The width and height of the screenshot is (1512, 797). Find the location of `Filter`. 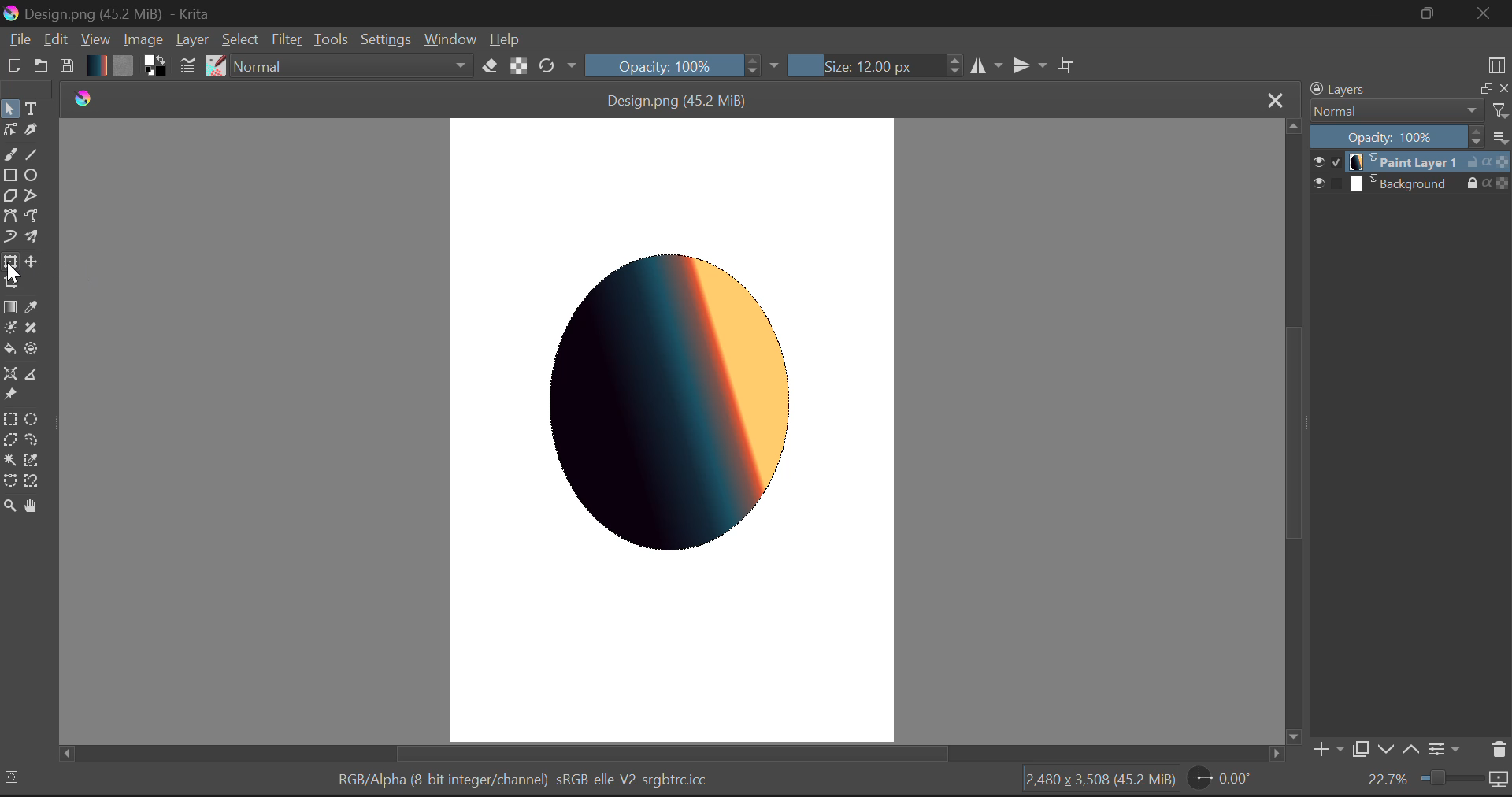

Filter is located at coordinates (287, 39).